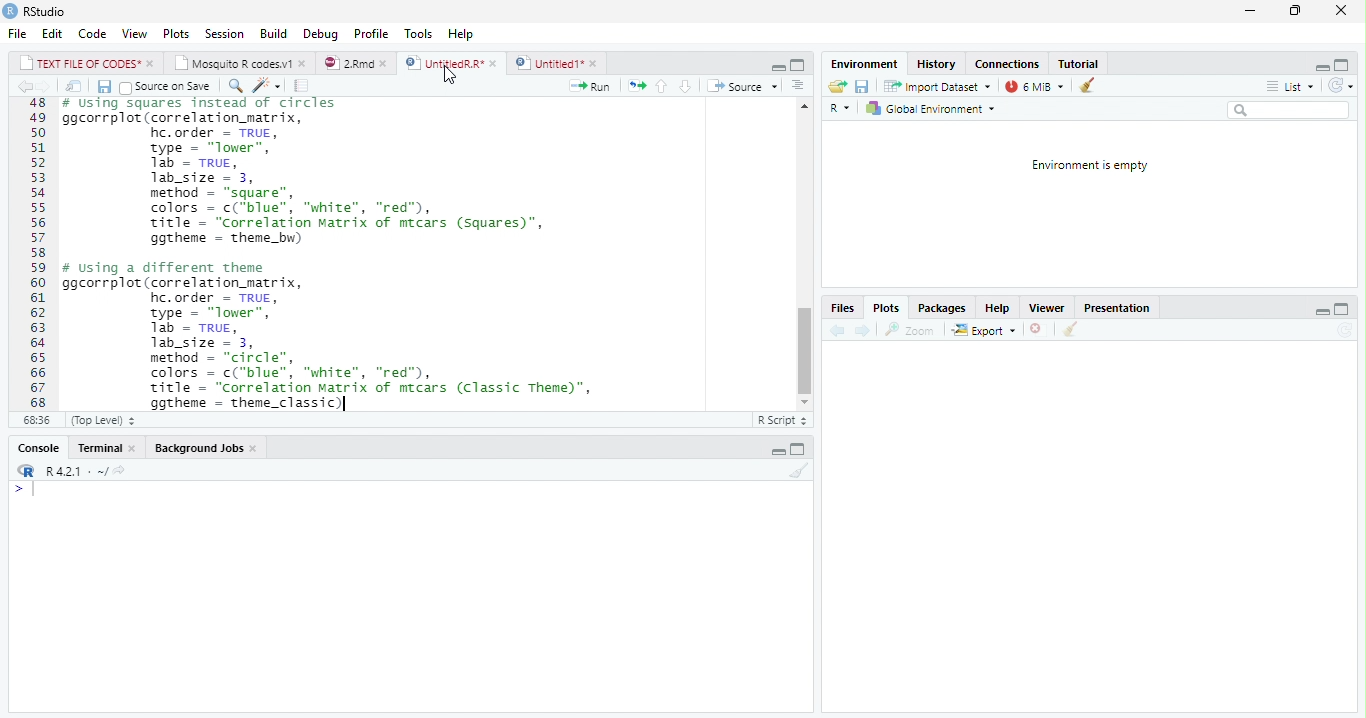  Describe the element at coordinates (914, 330) in the screenshot. I see `zoom` at that location.